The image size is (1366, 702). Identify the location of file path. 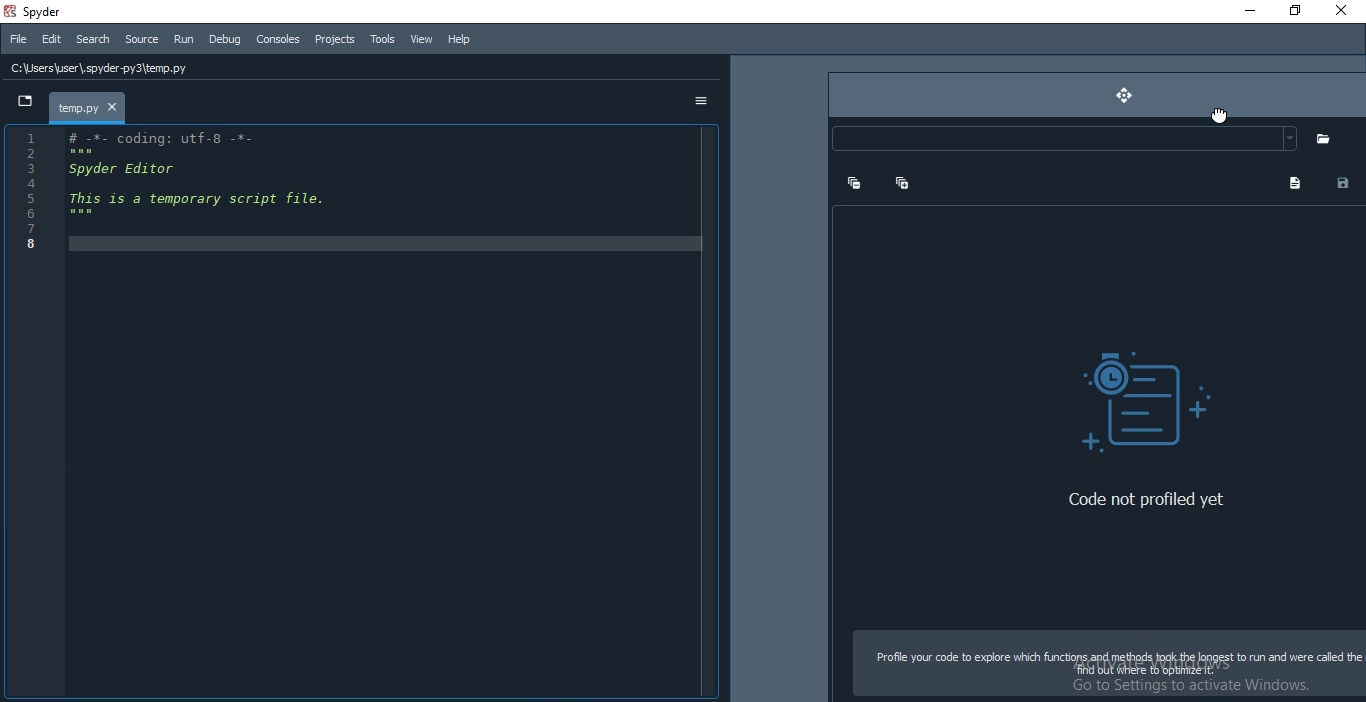
(367, 68).